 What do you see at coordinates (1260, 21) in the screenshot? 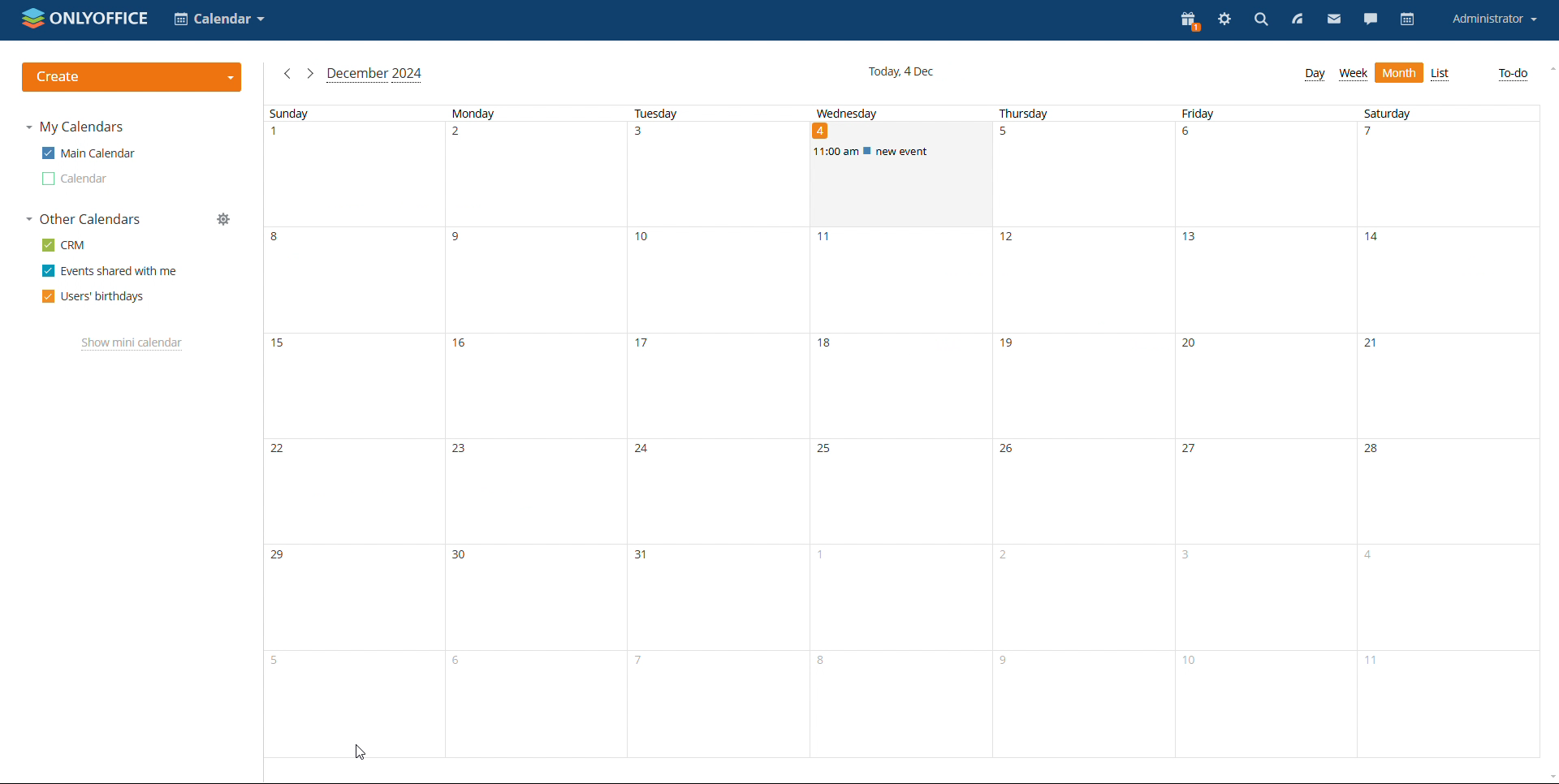
I see `search` at bounding box center [1260, 21].